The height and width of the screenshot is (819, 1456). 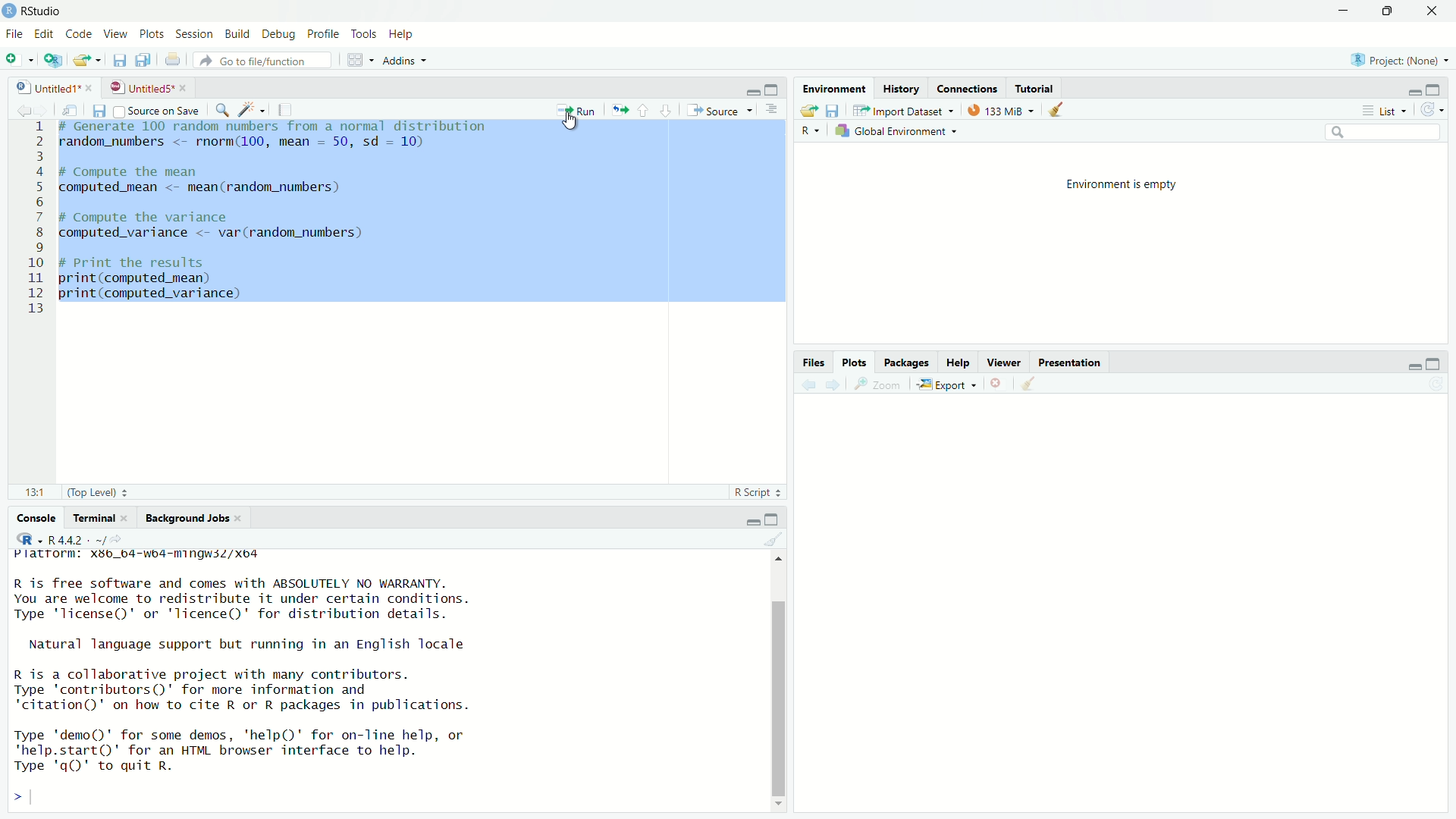 What do you see at coordinates (1413, 366) in the screenshot?
I see `minimize` at bounding box center [1413, 366].